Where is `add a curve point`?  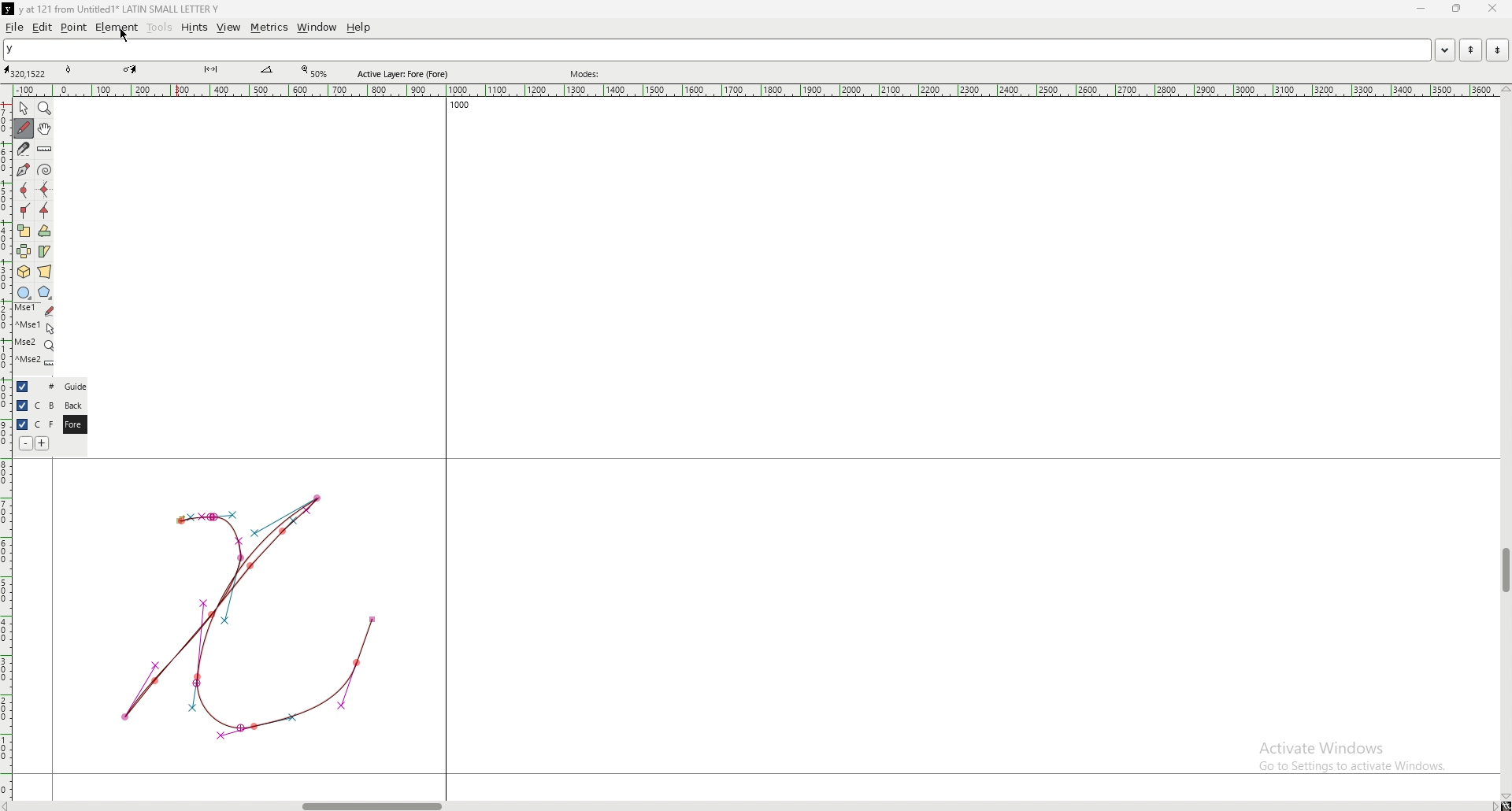 add a curve point is located at coordinates (24, 191).